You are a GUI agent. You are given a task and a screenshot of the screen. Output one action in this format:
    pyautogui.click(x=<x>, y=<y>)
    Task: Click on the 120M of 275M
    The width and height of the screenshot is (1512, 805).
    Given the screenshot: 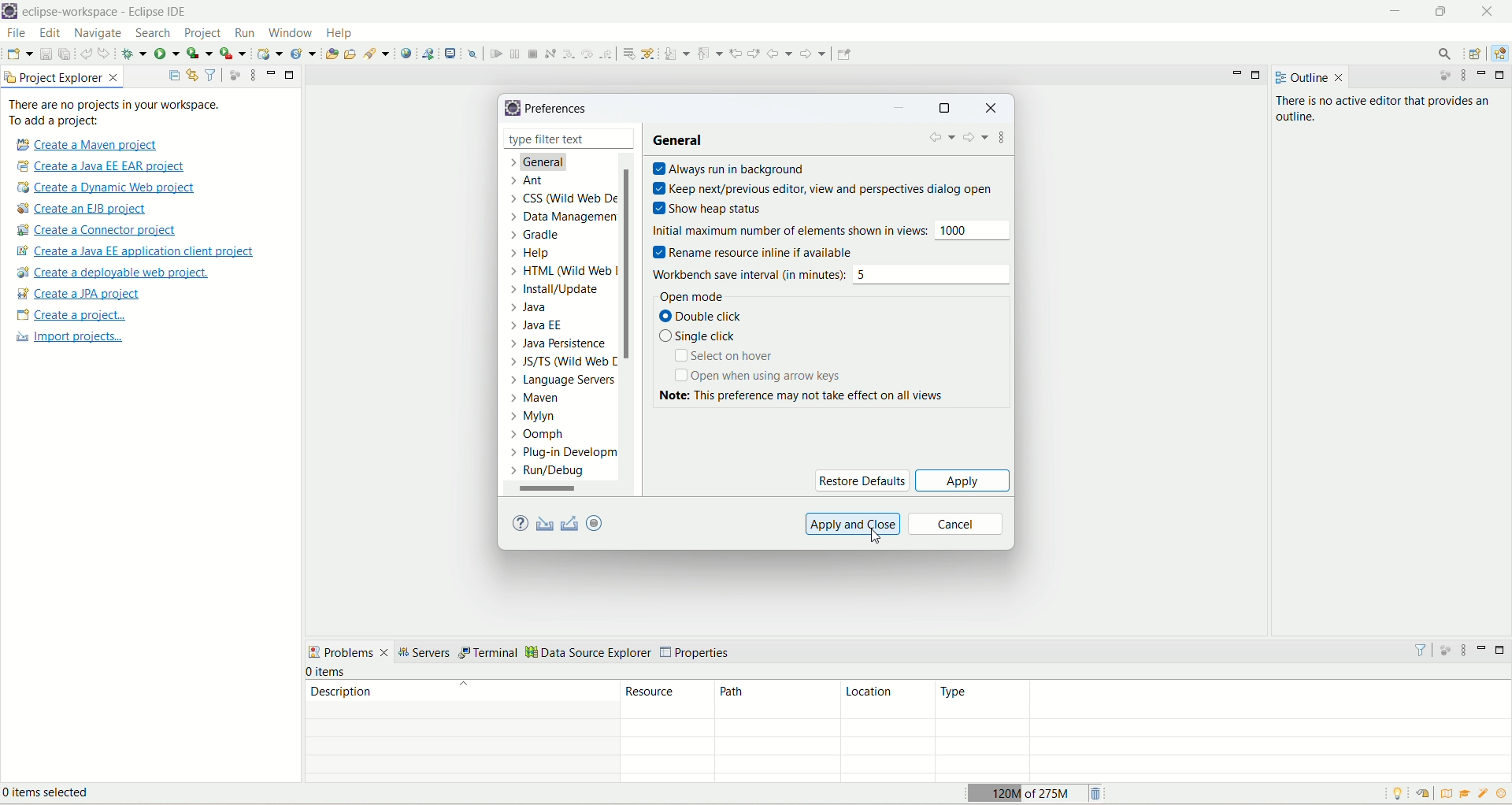 What is the action you would take?
    pyautogui.click(x=1025, y=792)
    